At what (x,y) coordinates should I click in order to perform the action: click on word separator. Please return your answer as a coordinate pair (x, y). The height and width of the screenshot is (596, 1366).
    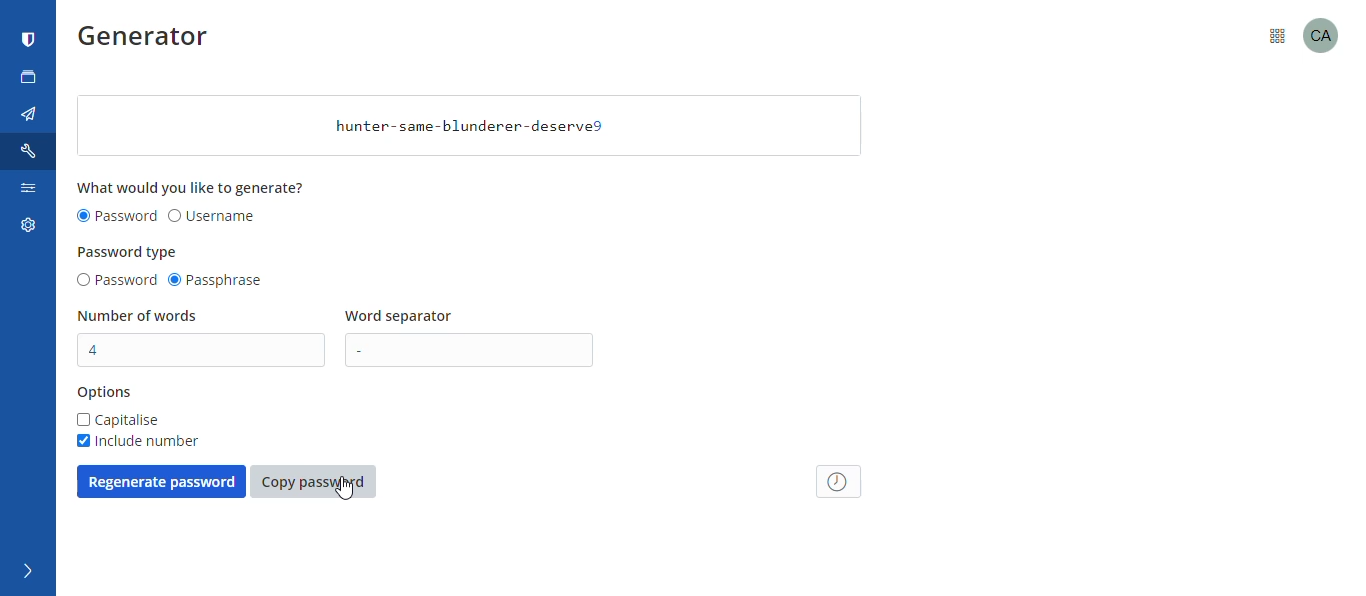
    Looking at the image, I should click on (402, 317).